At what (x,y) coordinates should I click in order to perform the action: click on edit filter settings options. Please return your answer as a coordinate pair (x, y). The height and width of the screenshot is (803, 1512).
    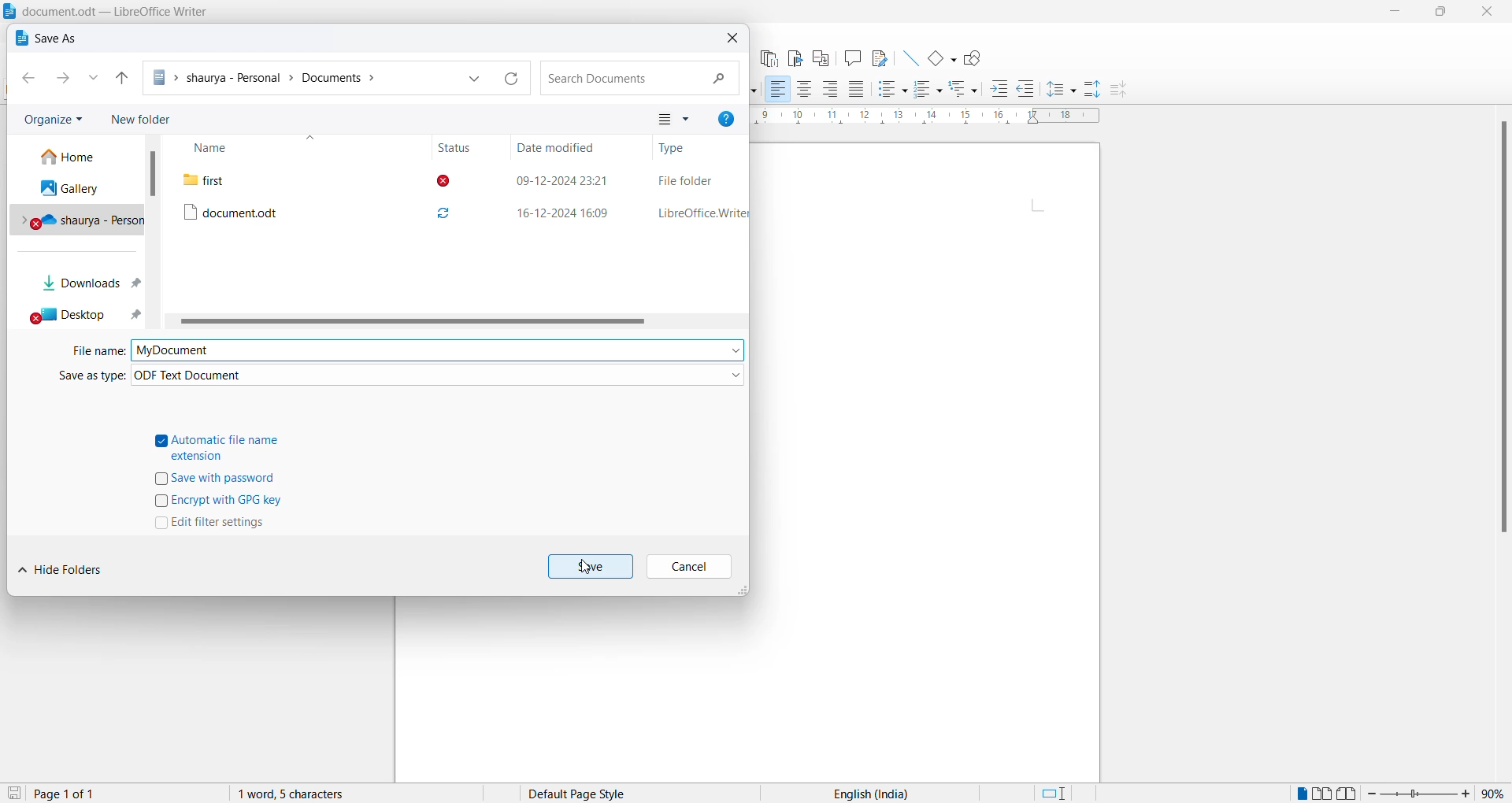
    Looking at the image, I should click on (215, 525).